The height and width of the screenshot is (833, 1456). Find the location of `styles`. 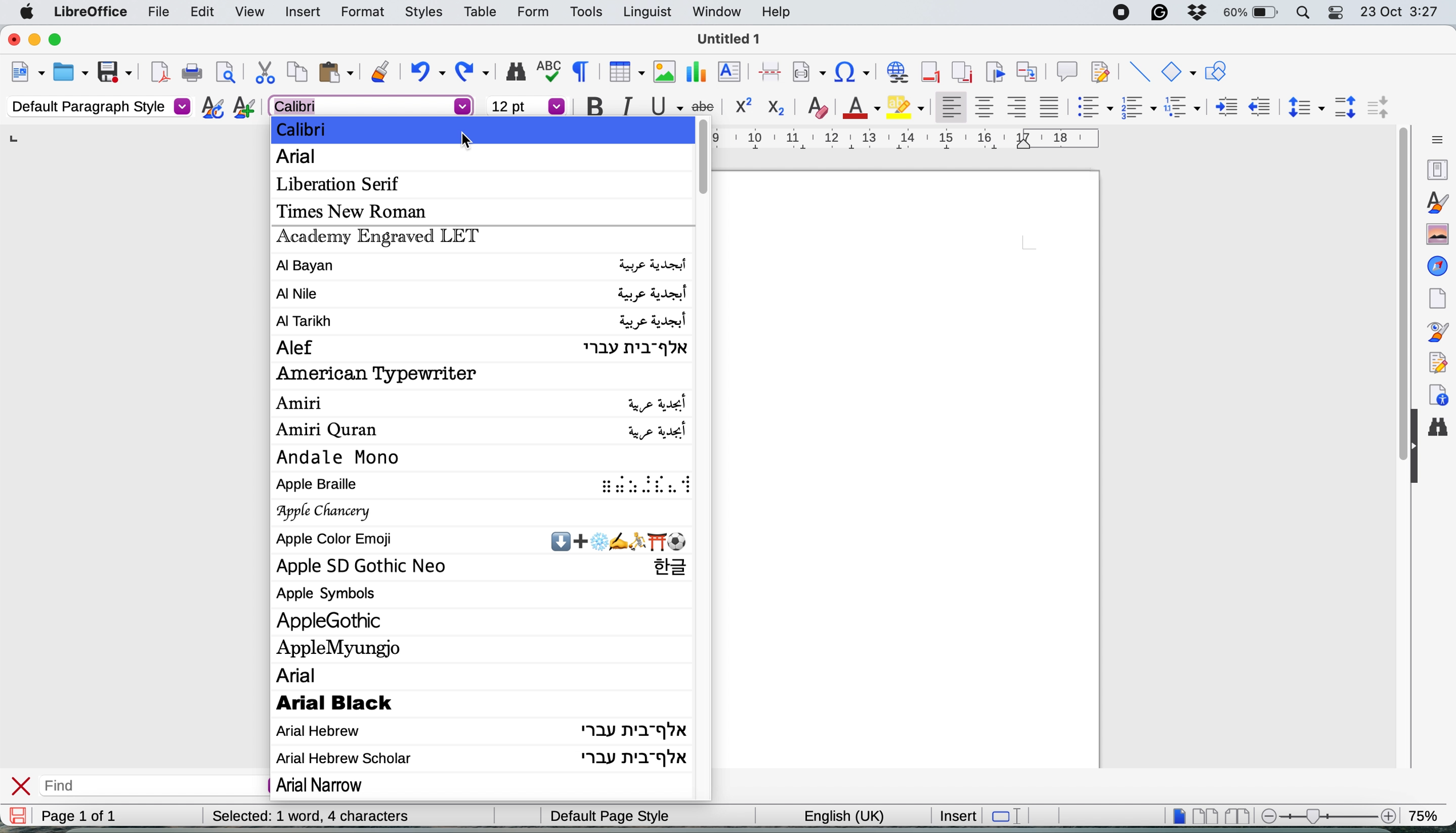

styles is located at coordinates (1436, 201).